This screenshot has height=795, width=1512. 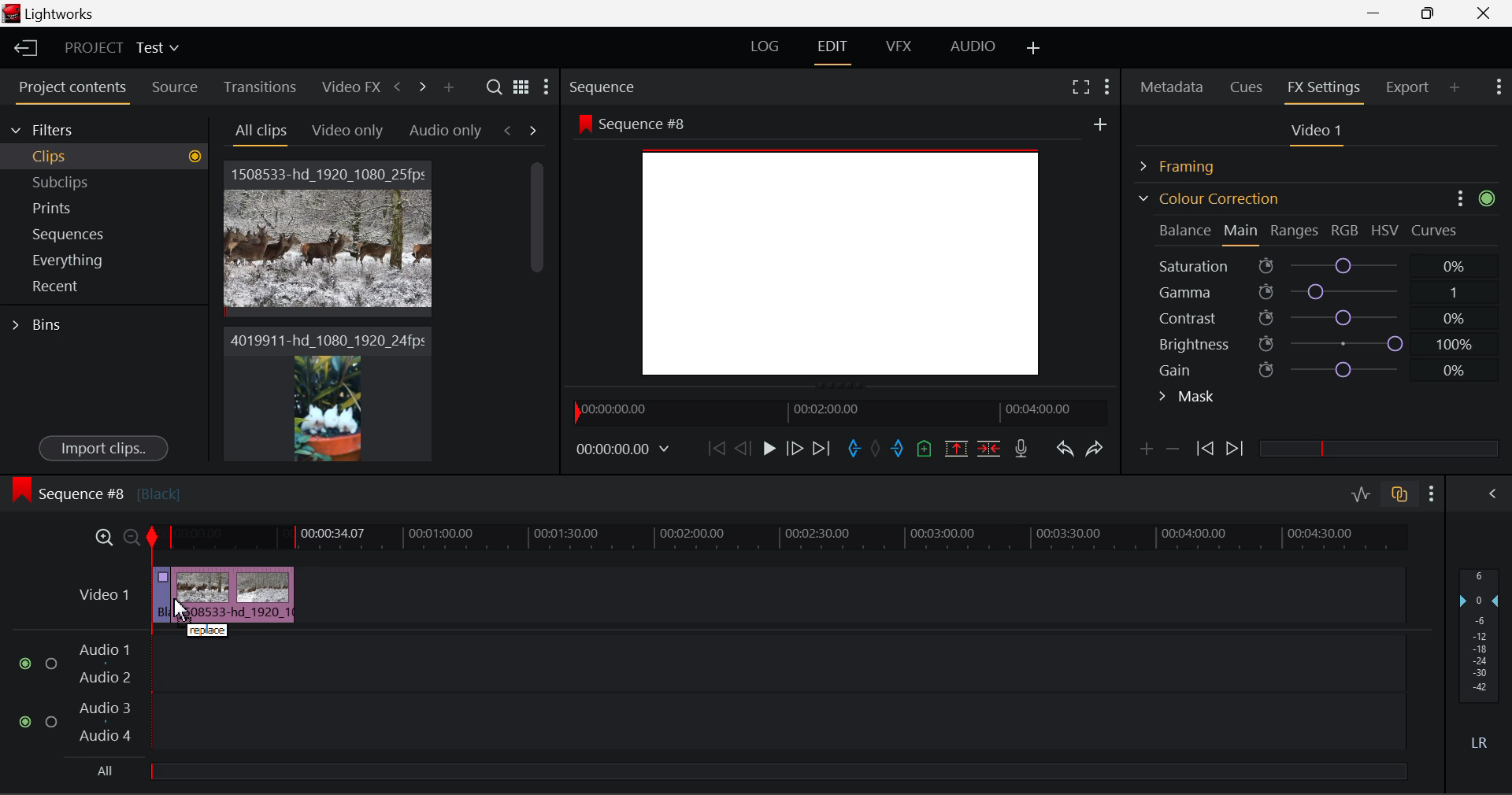 I want to click on LOG Layout, so click(x=764, y=46).